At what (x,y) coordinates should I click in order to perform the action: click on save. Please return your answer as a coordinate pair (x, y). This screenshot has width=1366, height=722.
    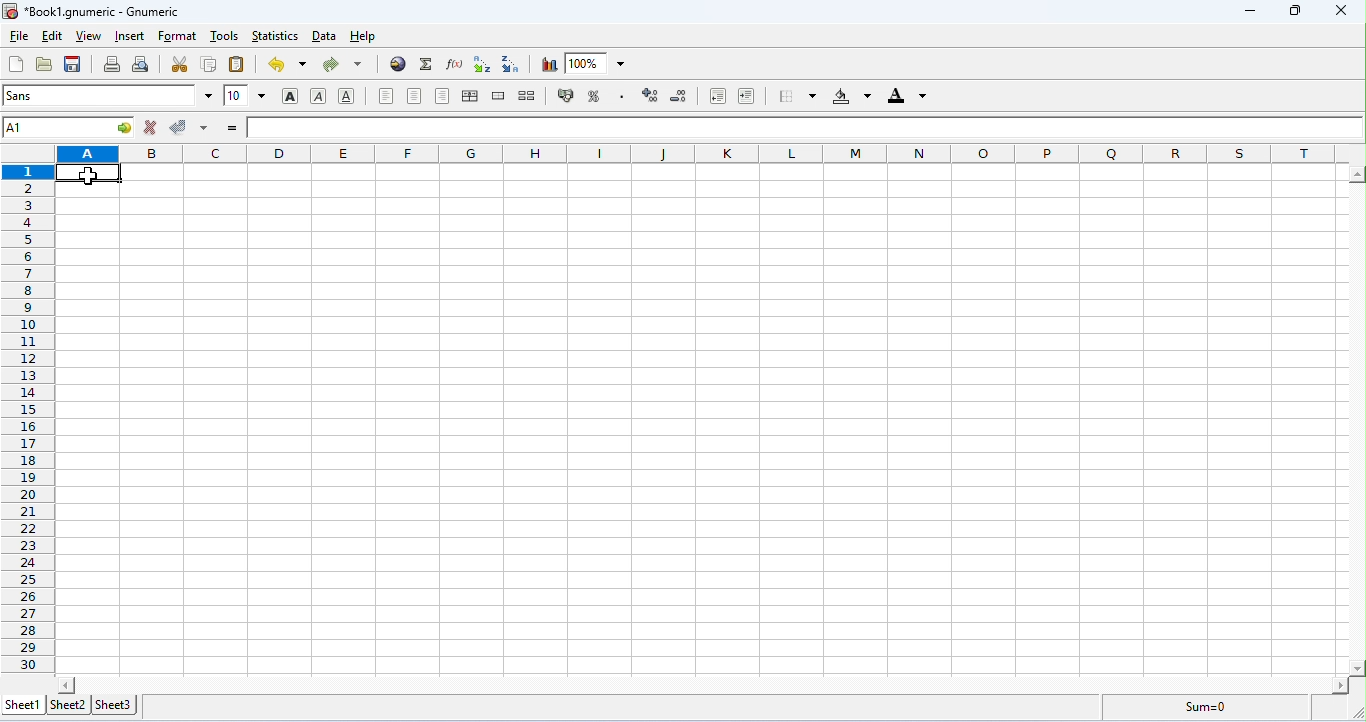
    Looking at the image, I should click on (74, 64).